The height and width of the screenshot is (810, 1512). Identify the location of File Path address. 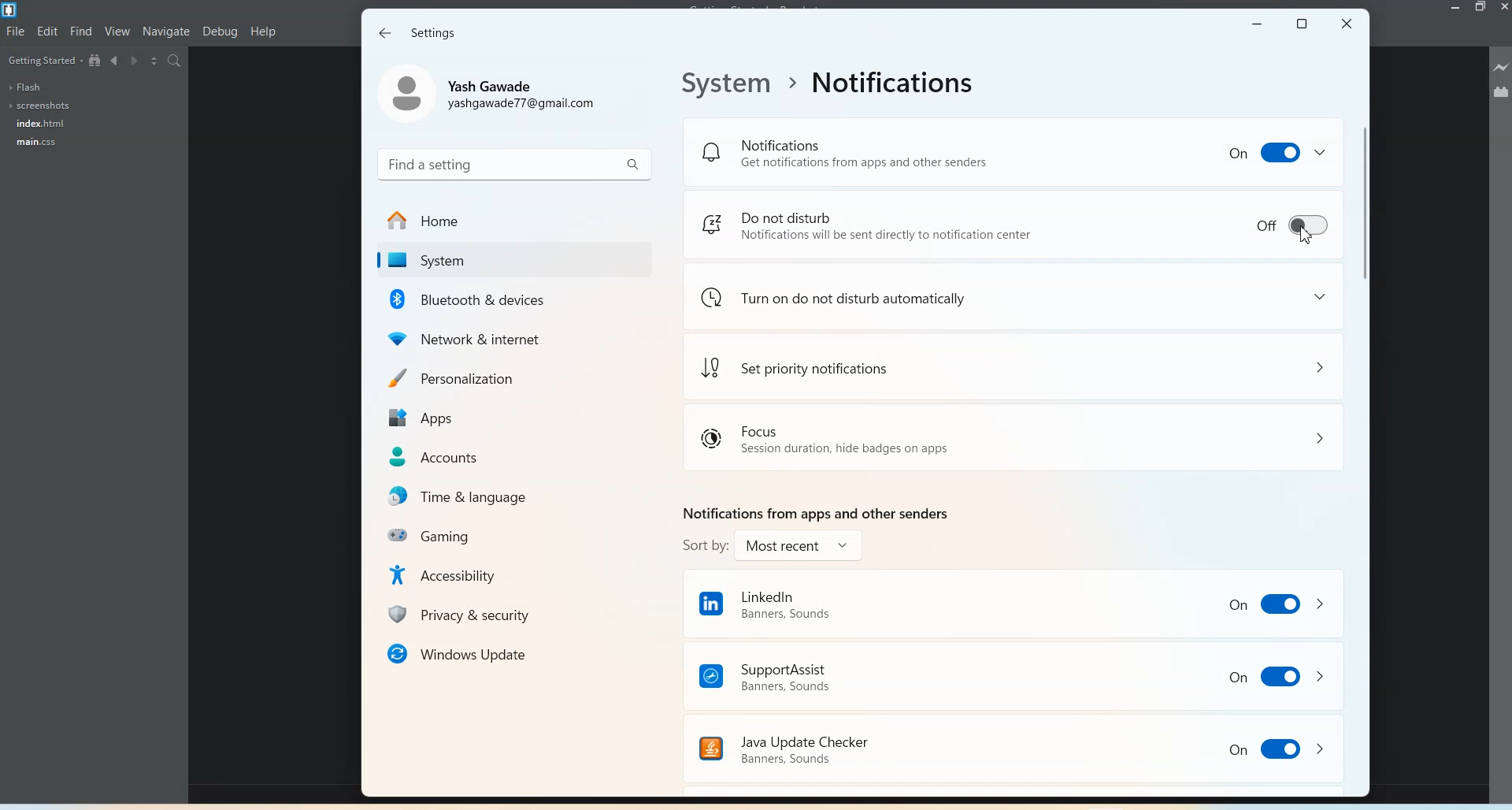
(833, 85).